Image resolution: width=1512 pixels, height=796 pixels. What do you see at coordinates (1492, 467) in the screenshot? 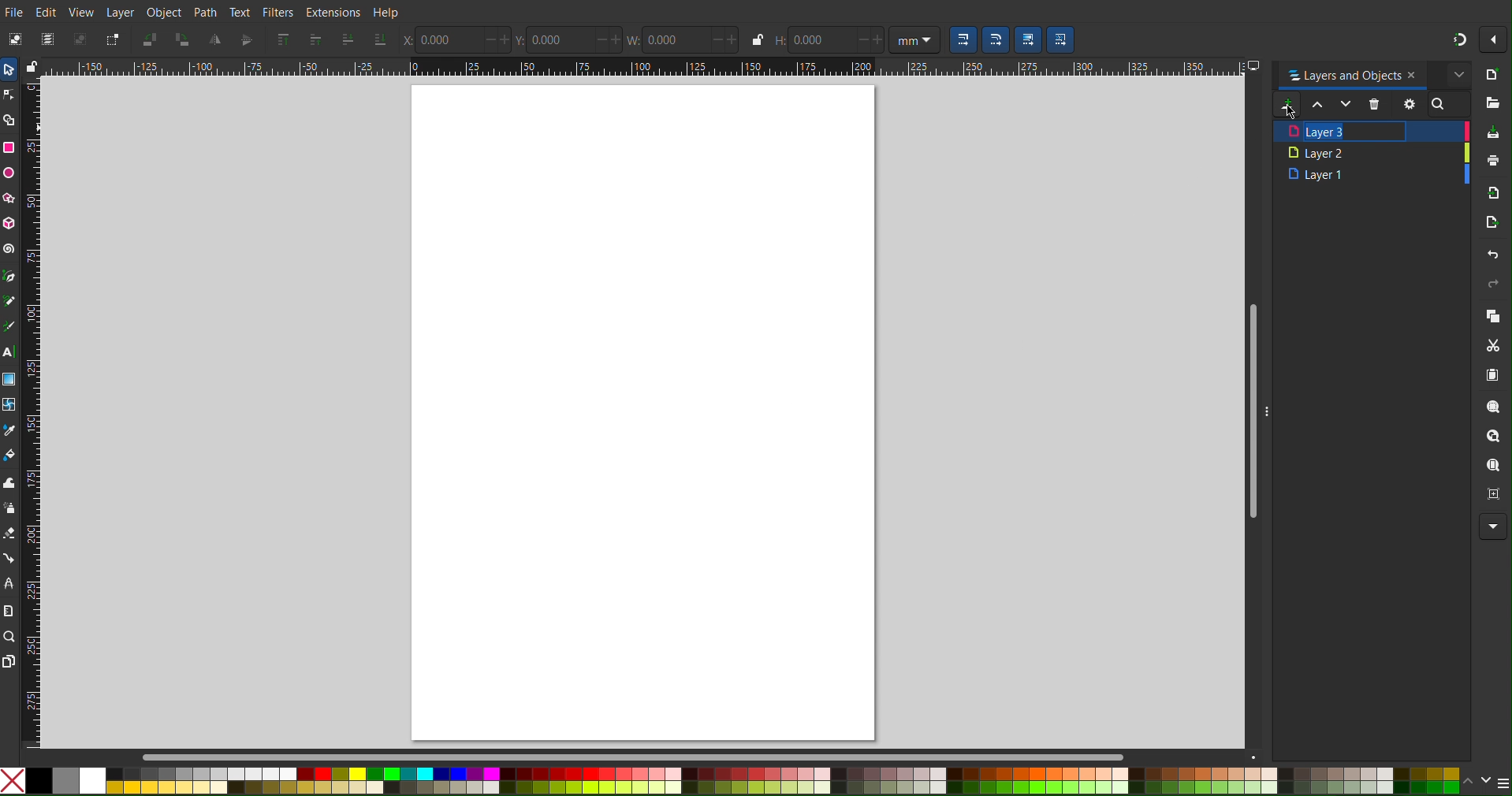
I see `Zoom Page` at bounding box center [1492, 467].